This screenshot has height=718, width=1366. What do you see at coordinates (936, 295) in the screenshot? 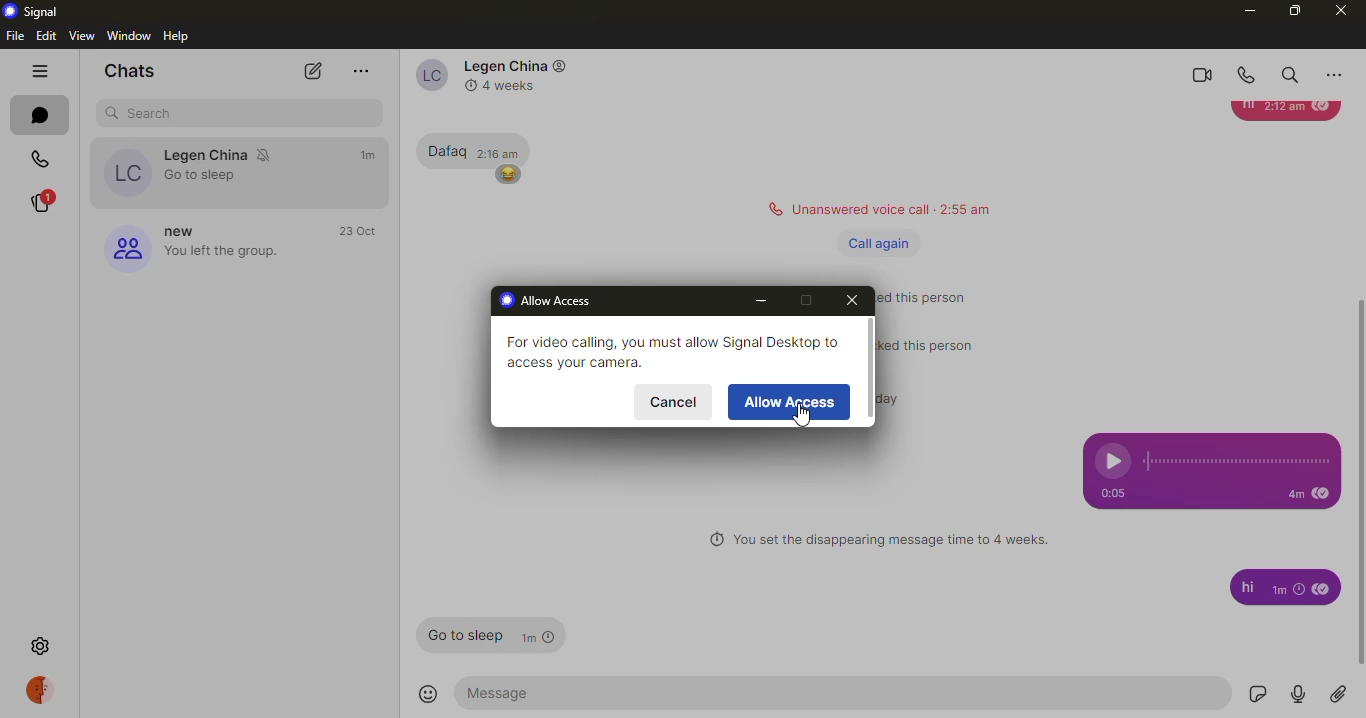
I see `status message` at bounding box center [936, 295].